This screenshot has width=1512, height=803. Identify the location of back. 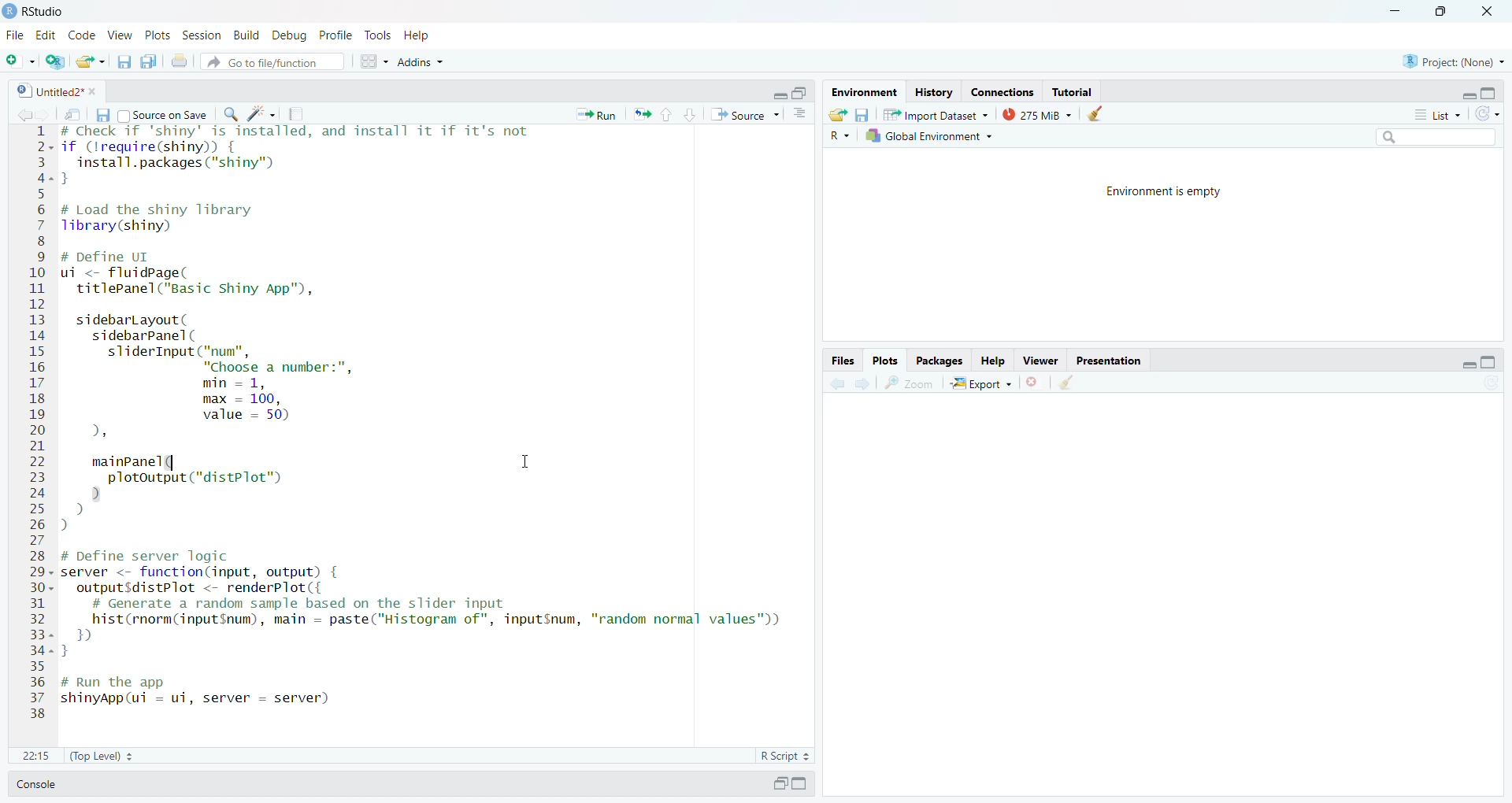
(22, 115).